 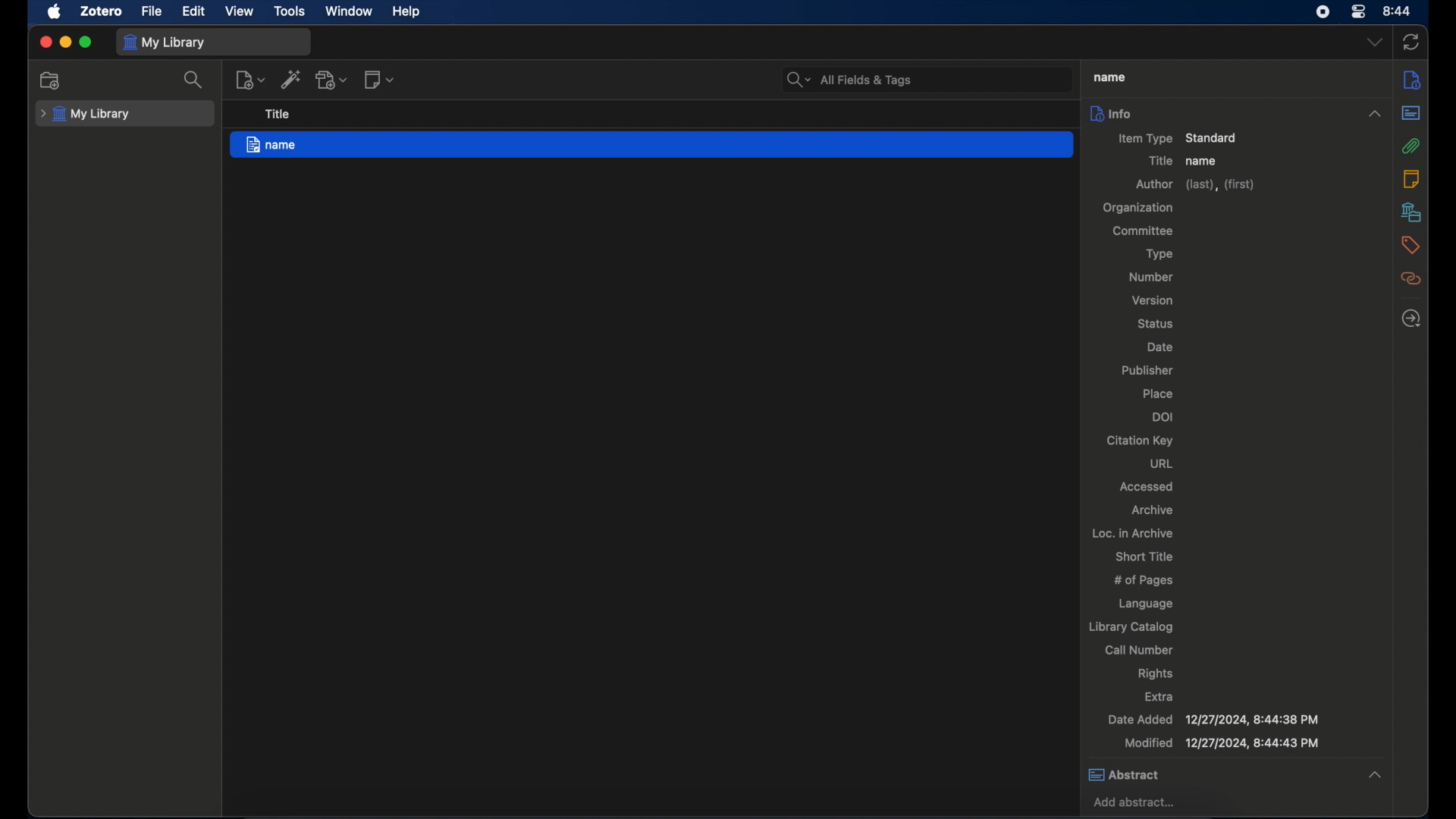 What do you see at coordinates (1398, 10) in the screenshot?
I see `8.44` at bounding box center [1398, 10].